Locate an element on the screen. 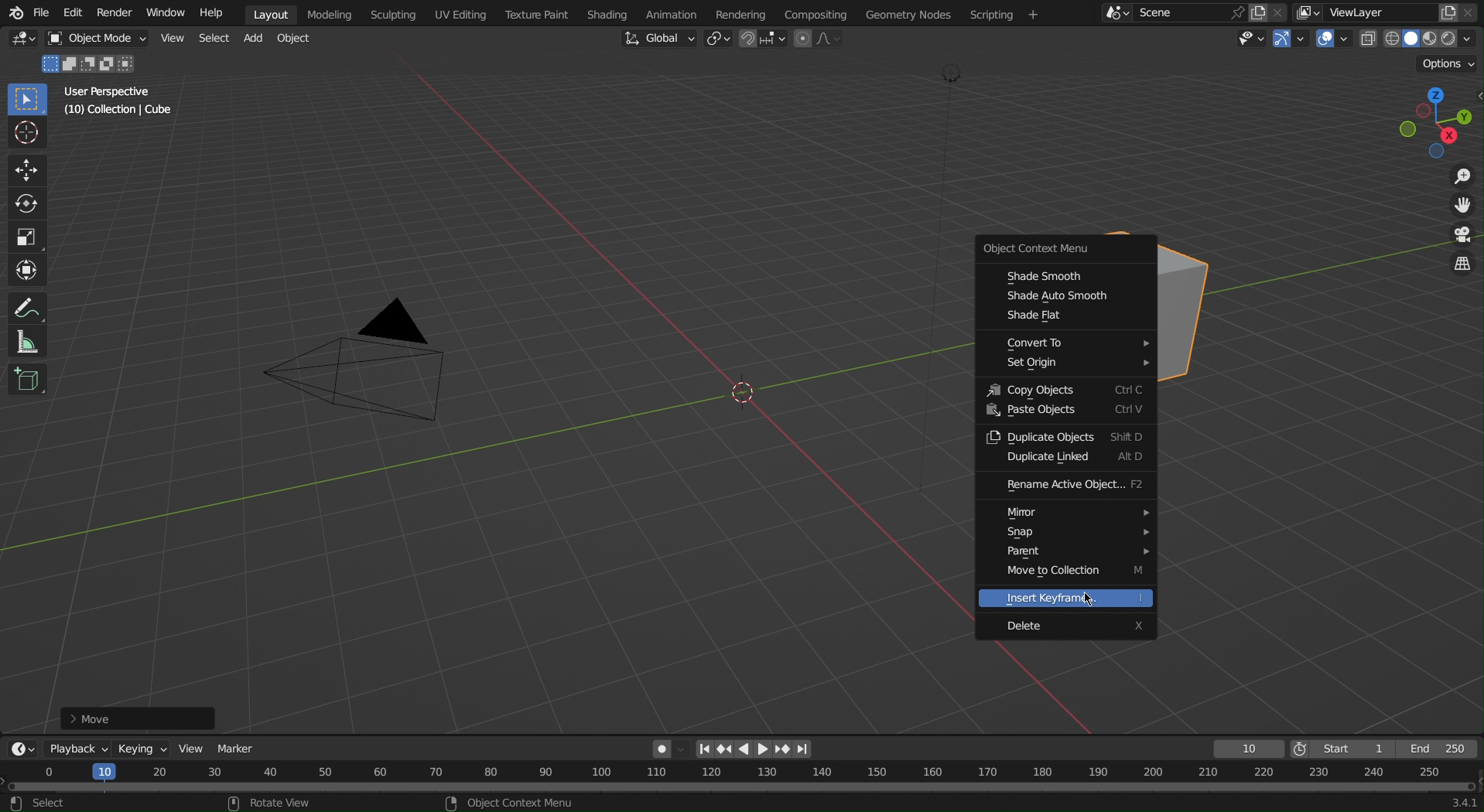  Zoom is located at coordinates (1455, 179).